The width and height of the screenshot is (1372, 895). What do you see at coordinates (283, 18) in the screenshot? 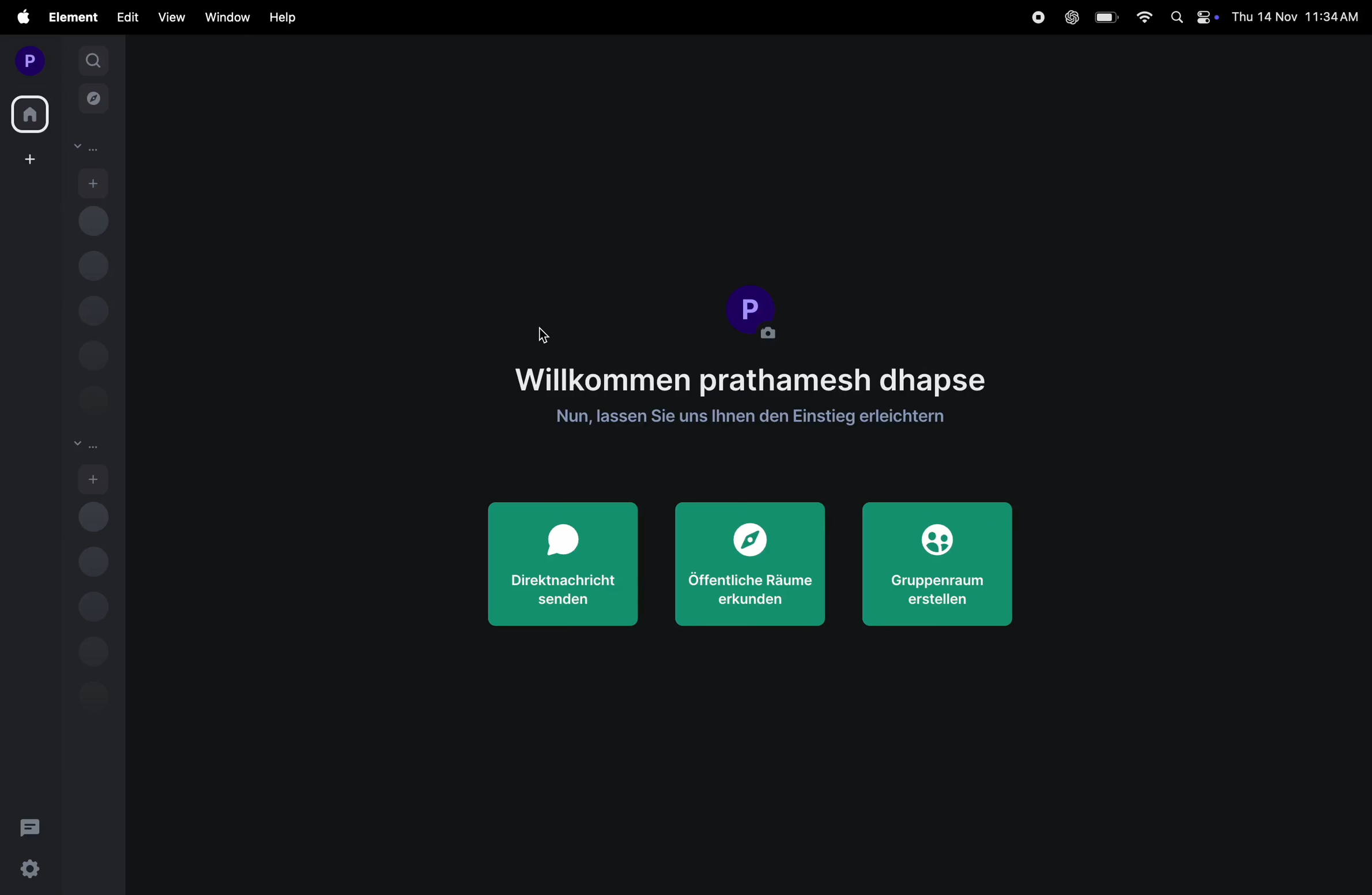
I see `hlep` at bounding box center [283, 18].